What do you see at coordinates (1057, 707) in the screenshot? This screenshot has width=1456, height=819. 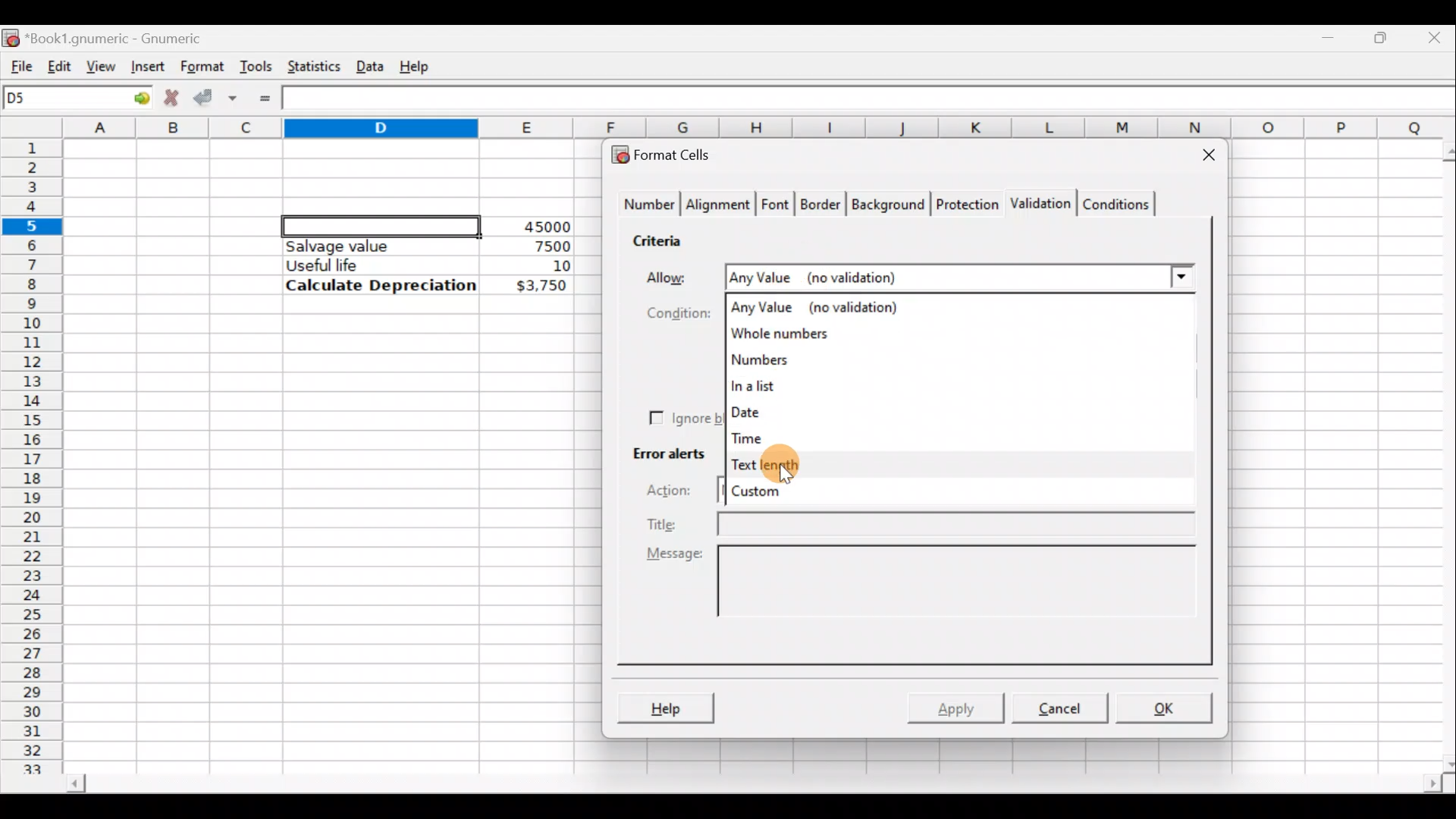 I see `Cancel` at bounding box center [1057, 707].